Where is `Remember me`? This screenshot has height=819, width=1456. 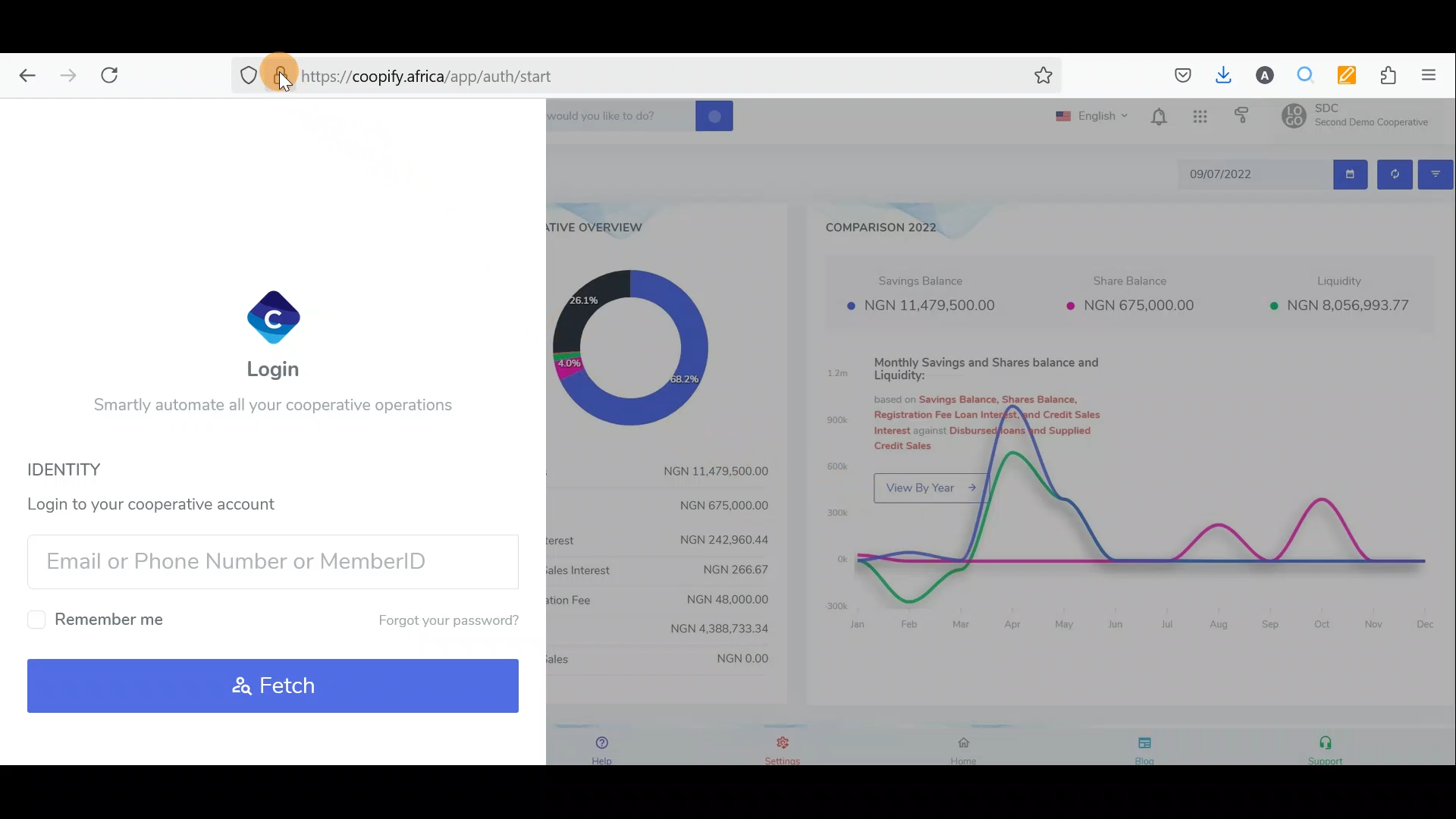 Remember me is located at coordinates (102, 619).